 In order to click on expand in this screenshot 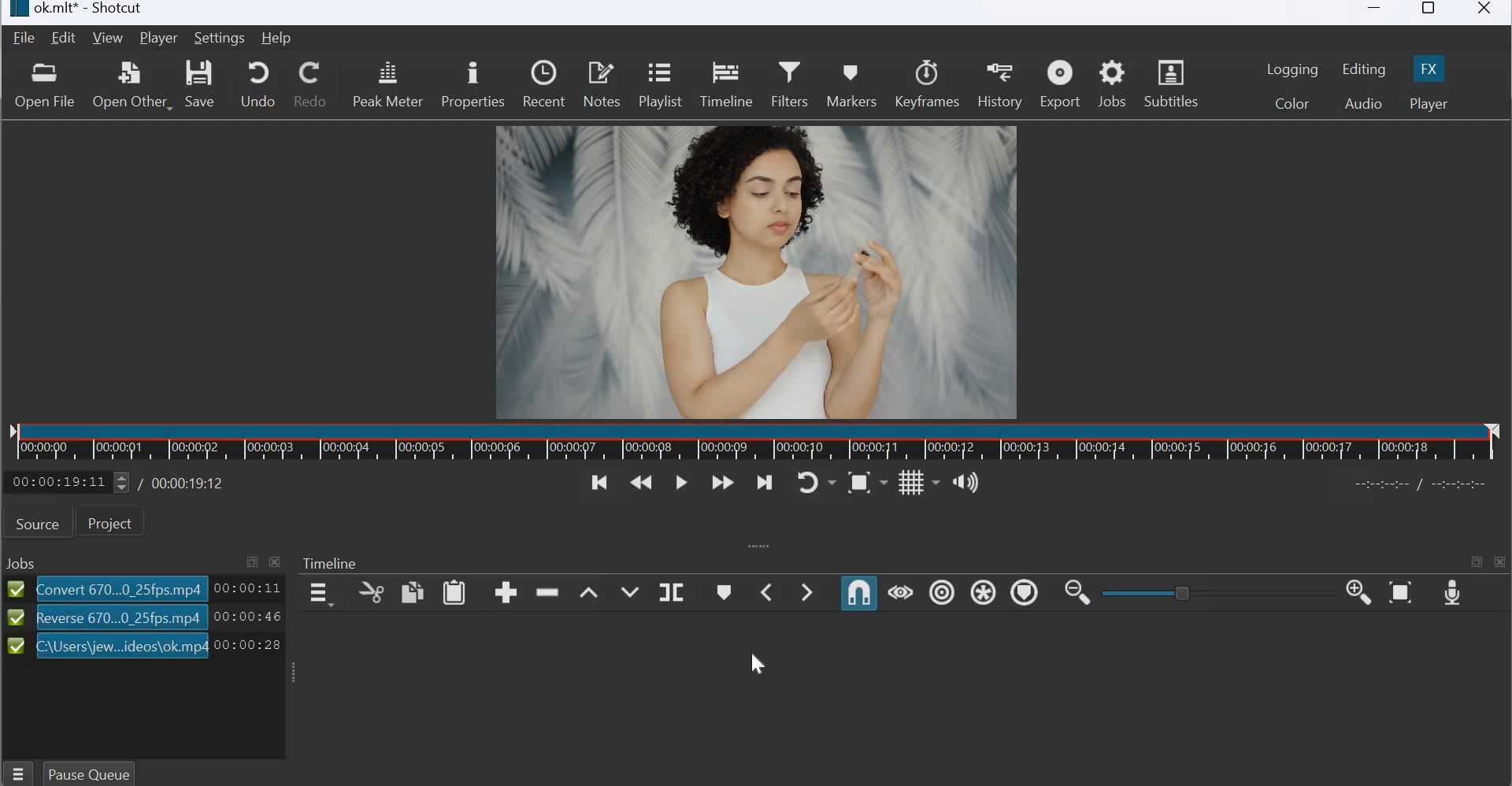, I will do `click(291, 673)`.